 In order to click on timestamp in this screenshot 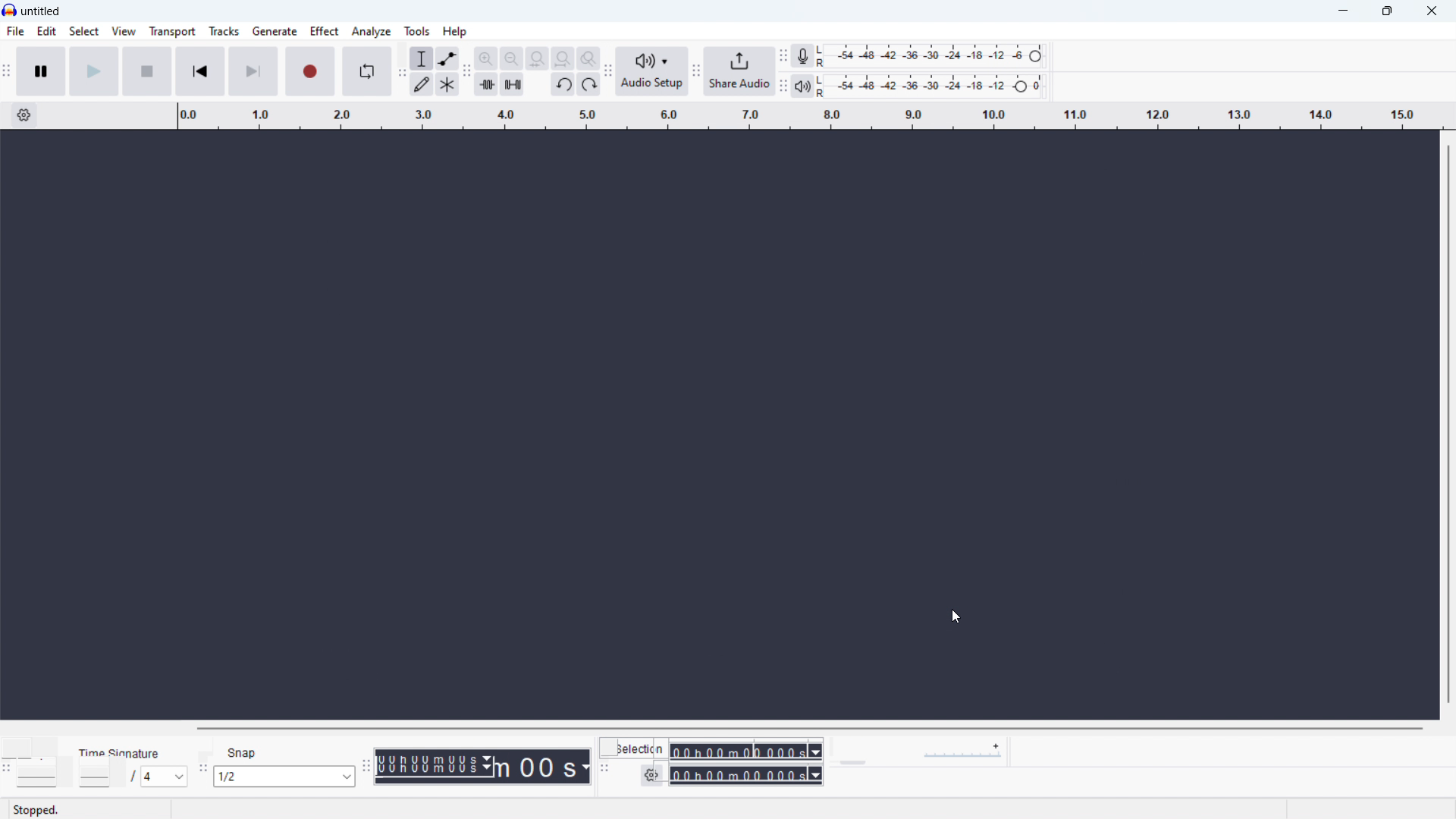, I will do `click(485, 767)`.